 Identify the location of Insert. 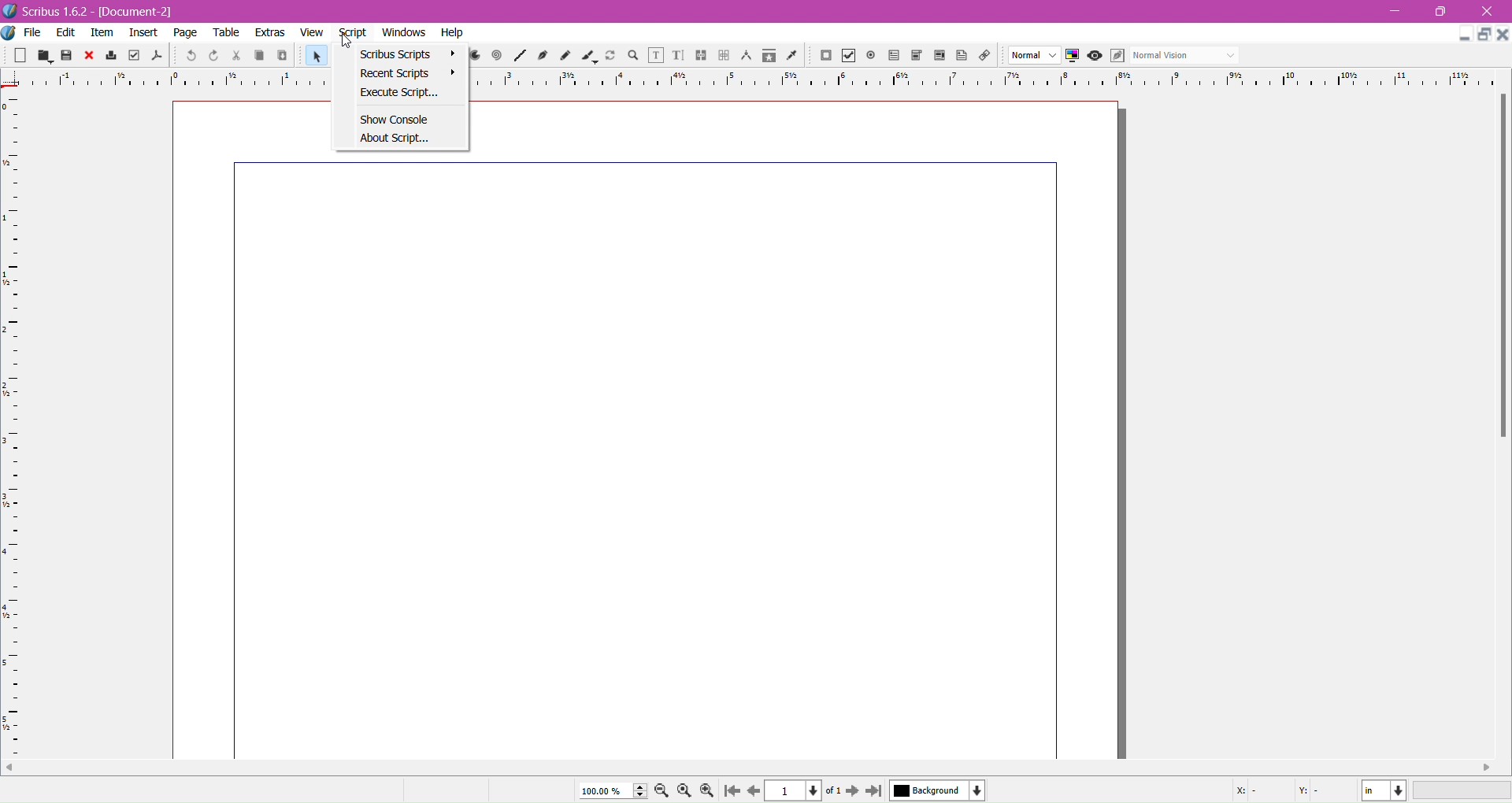
(143, 33).